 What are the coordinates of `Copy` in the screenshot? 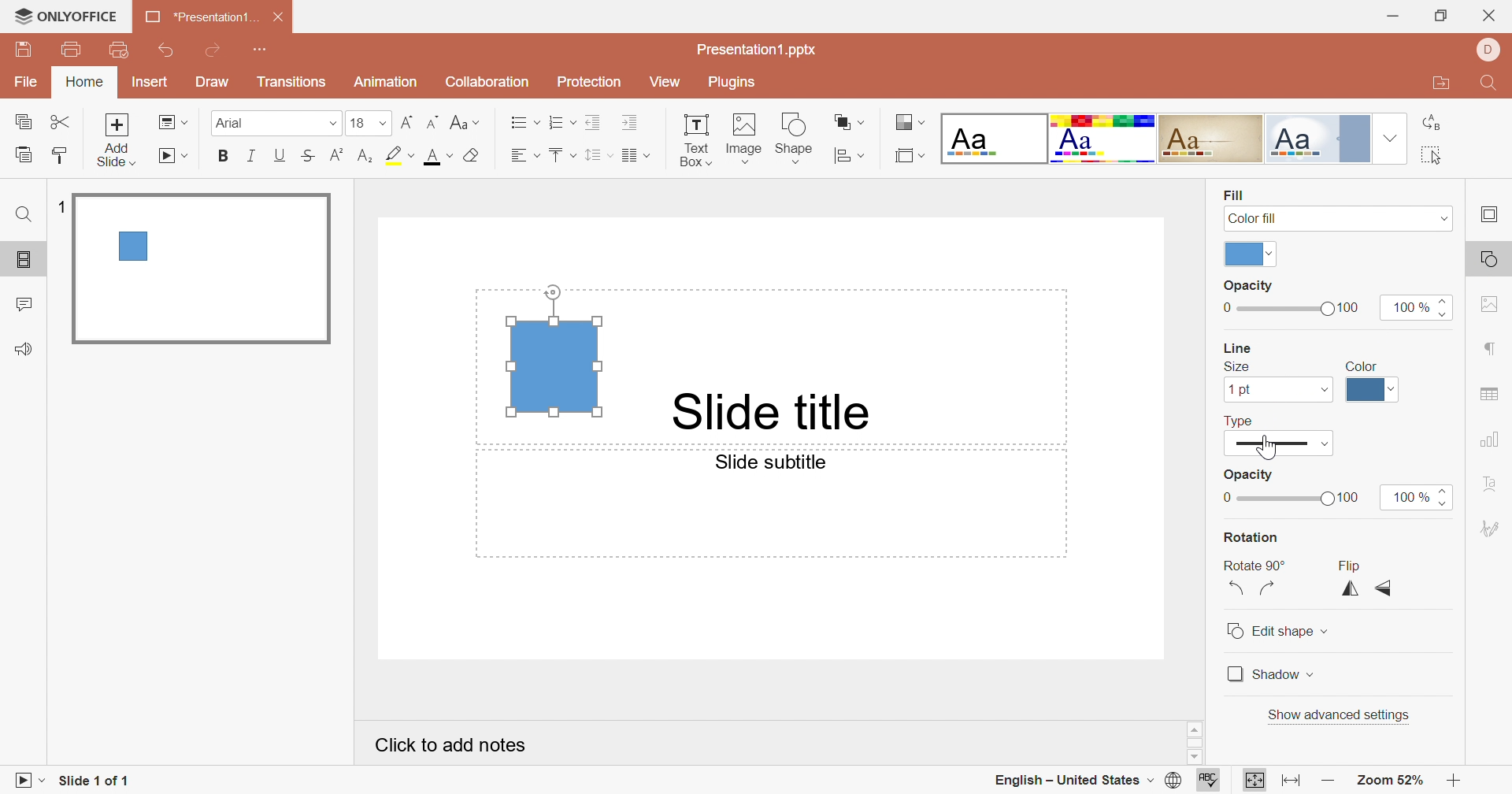 It's located at (24, 123).